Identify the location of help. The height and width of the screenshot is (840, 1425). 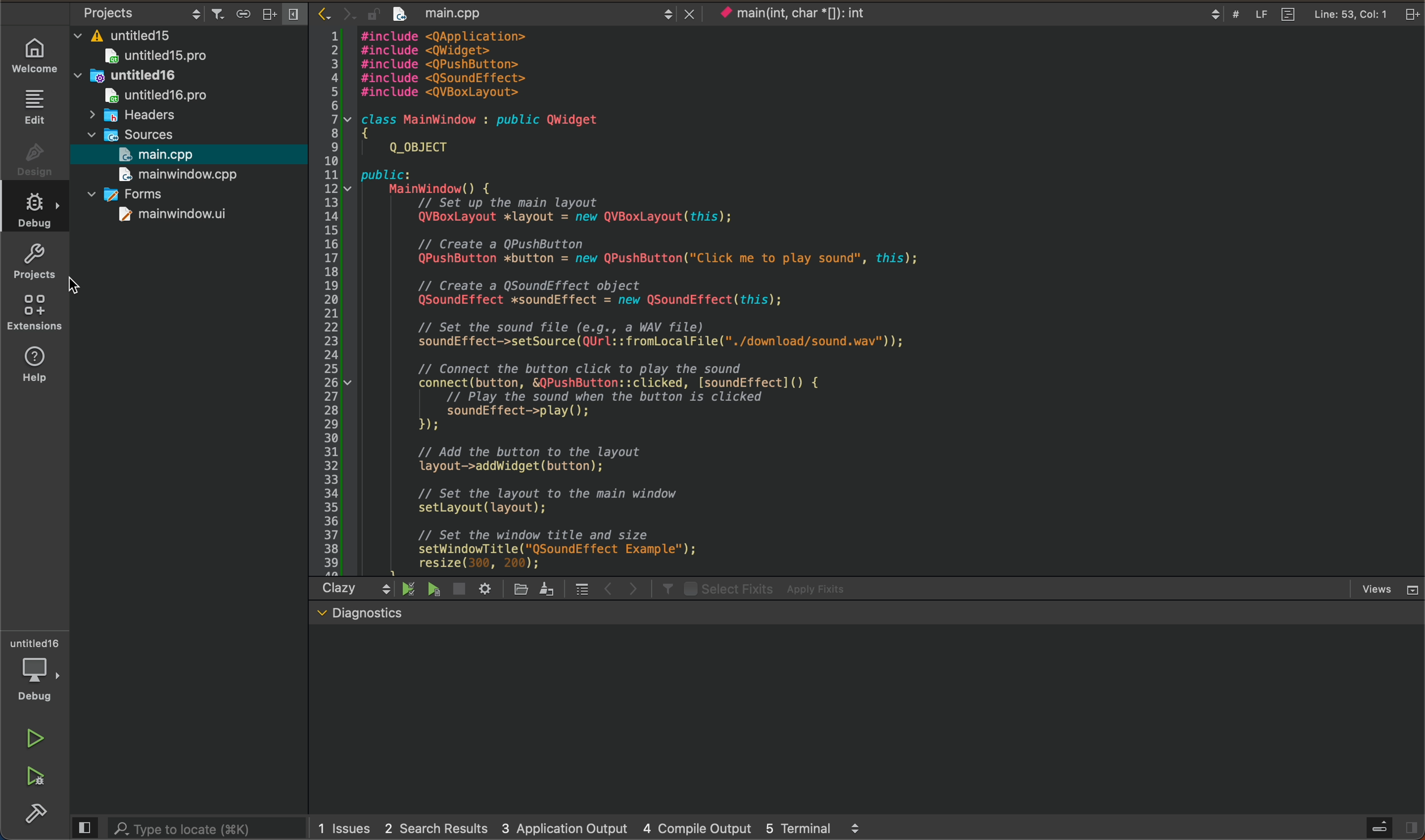
(32, 366).